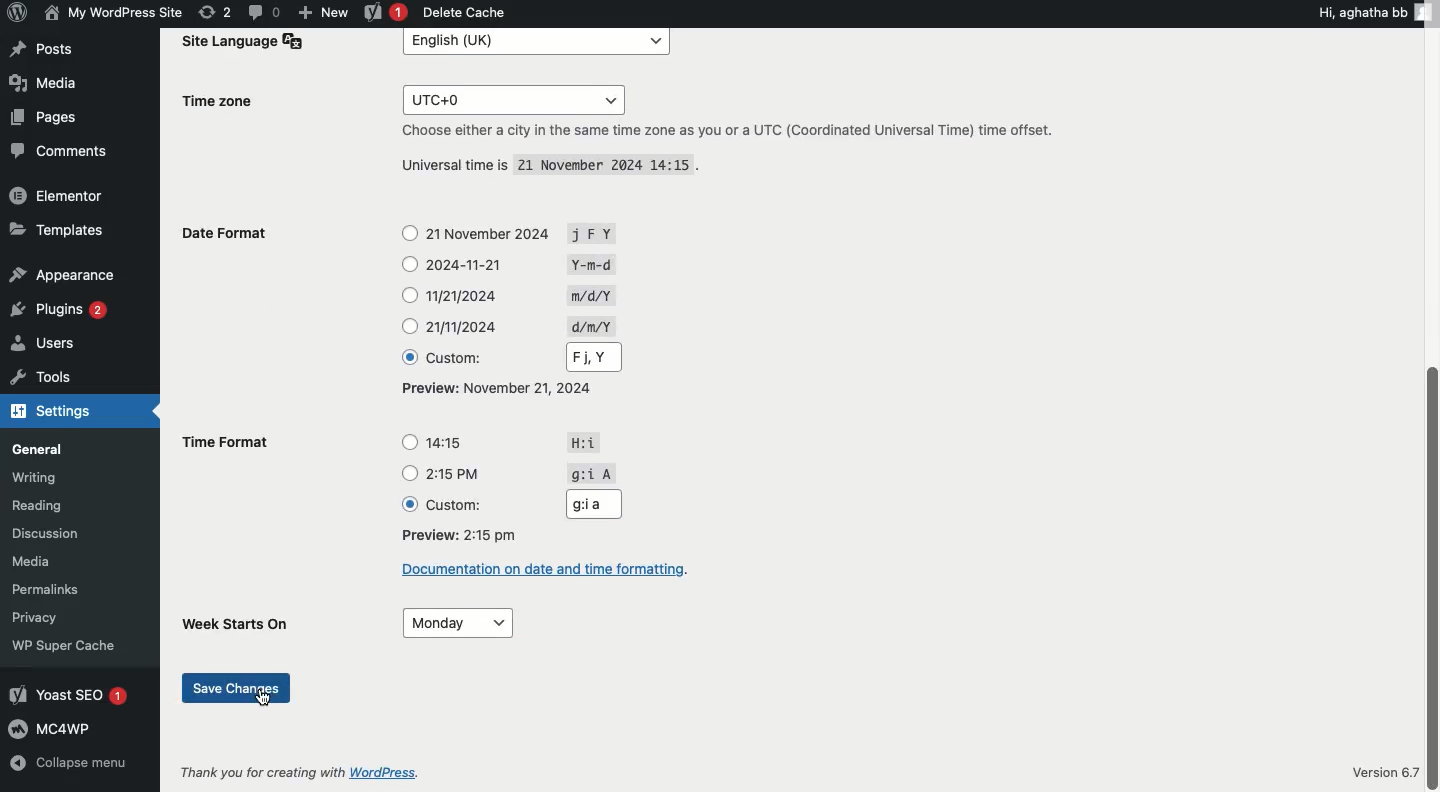 This screenshot has height=792, width=1440. I want to click on Comment, so click(63, 153).